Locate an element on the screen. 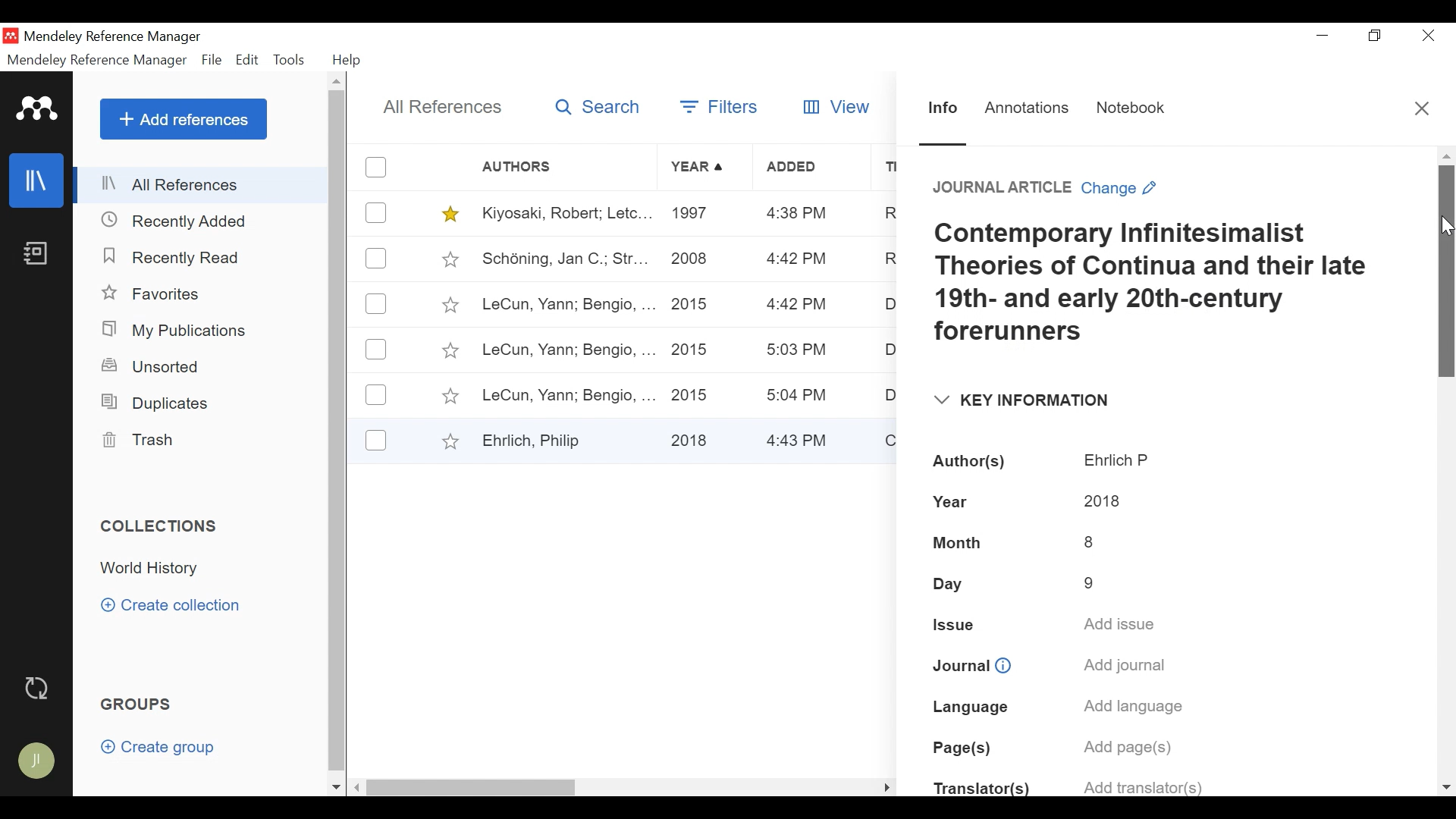 Image resolution: width=1456 pixels, height=819 pixels. Issue is located at coordinates (953, 625).